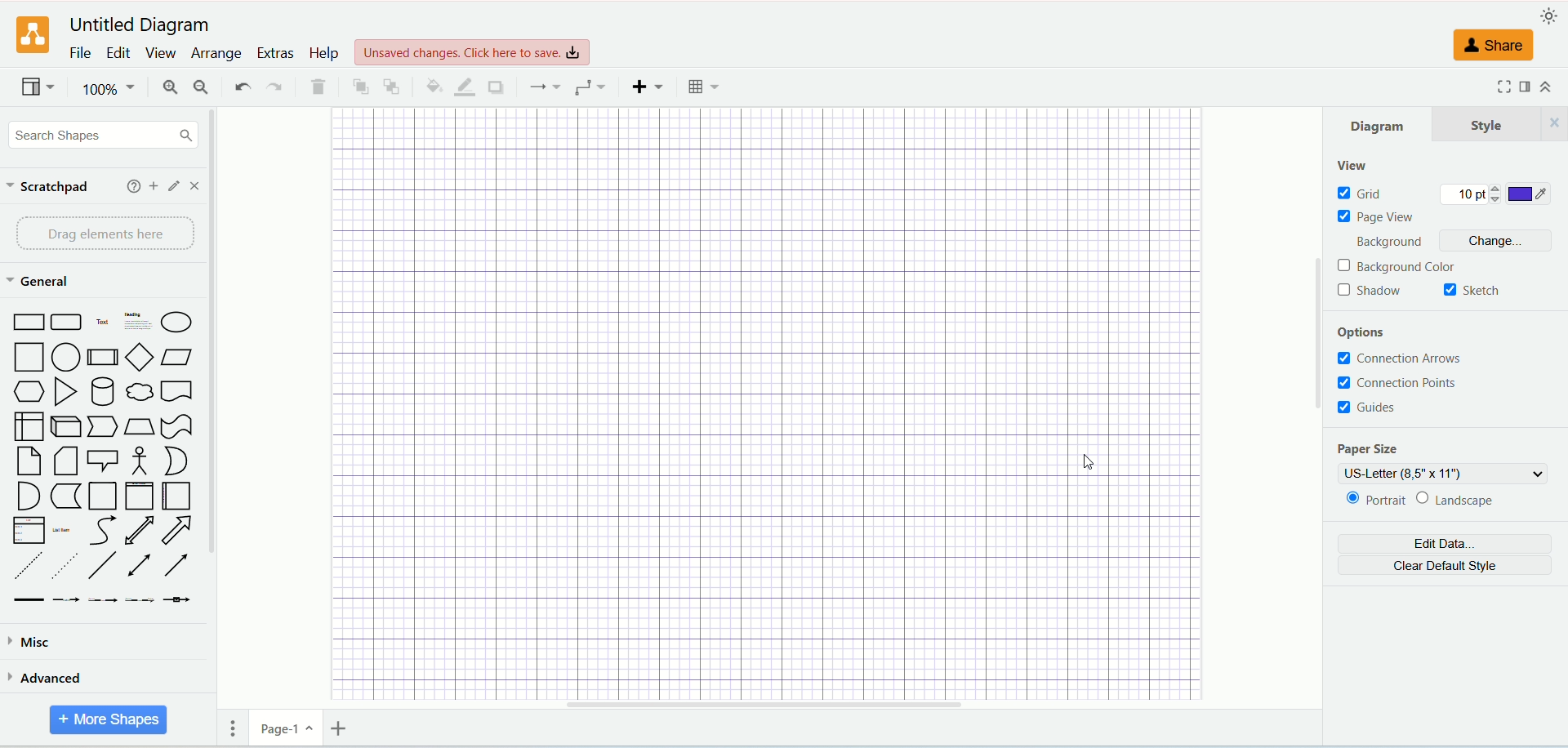  Describe the element at coordinates (180, 359) in the screenshot. I see `Parallelogram` at that location.